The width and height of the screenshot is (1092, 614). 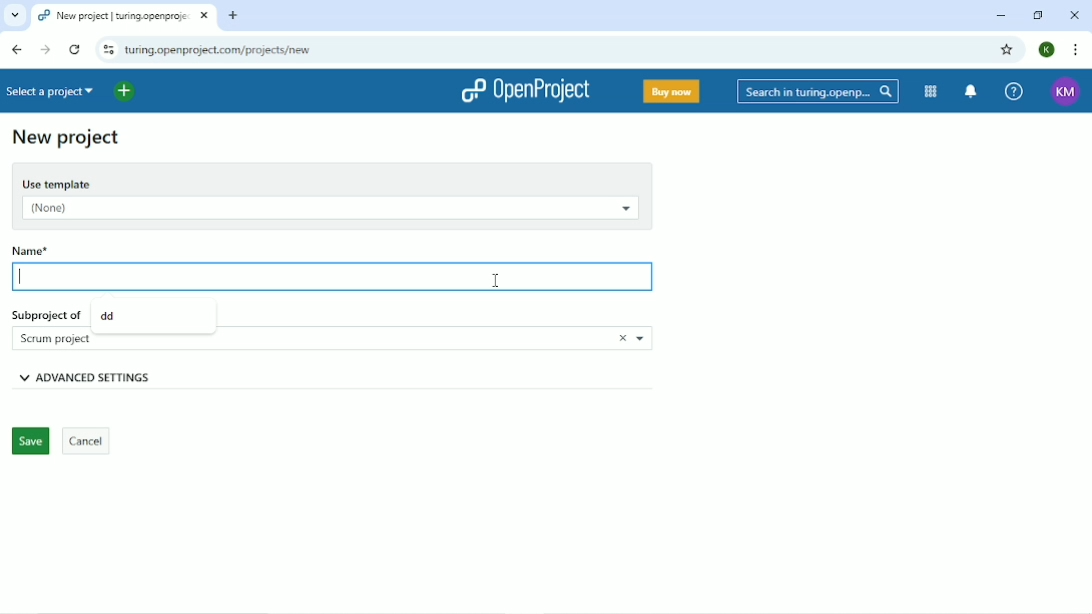 I want to click on Help, so click(x=1014, y=90).